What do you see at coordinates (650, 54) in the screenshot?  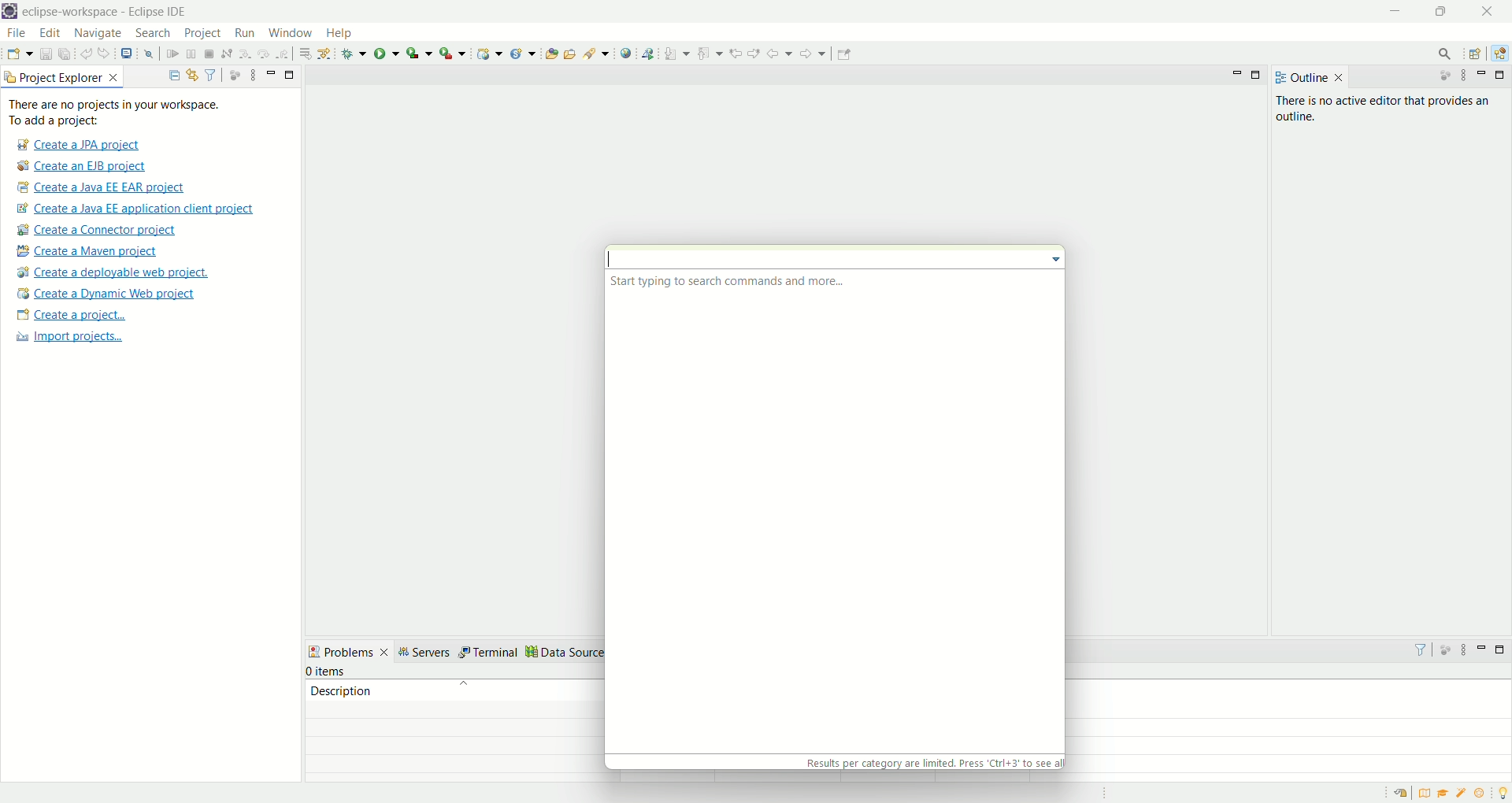 I see `launch web service explorer` at bounding box center [650, 54].